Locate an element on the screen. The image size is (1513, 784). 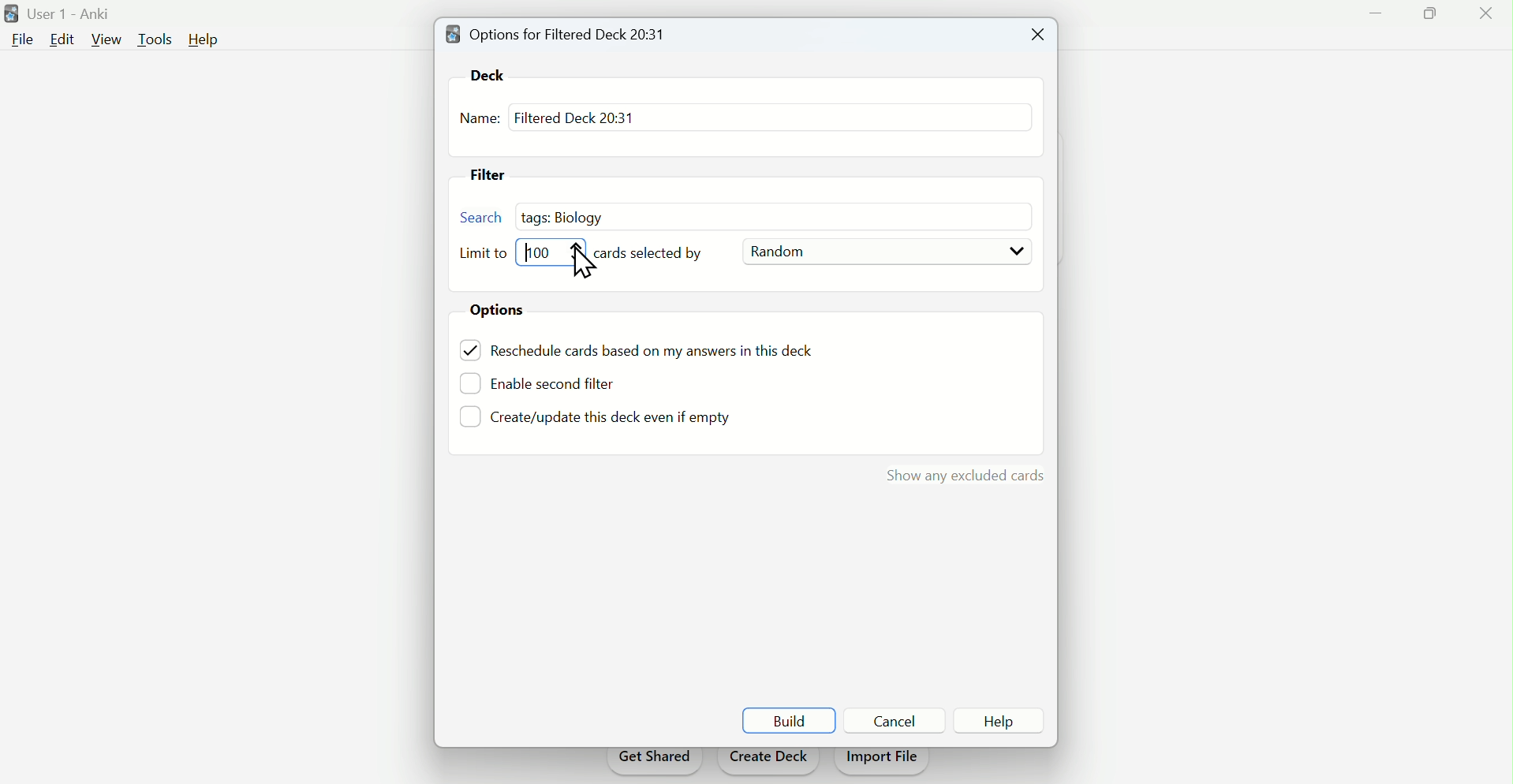
Random is located at coordinates (886, 253).